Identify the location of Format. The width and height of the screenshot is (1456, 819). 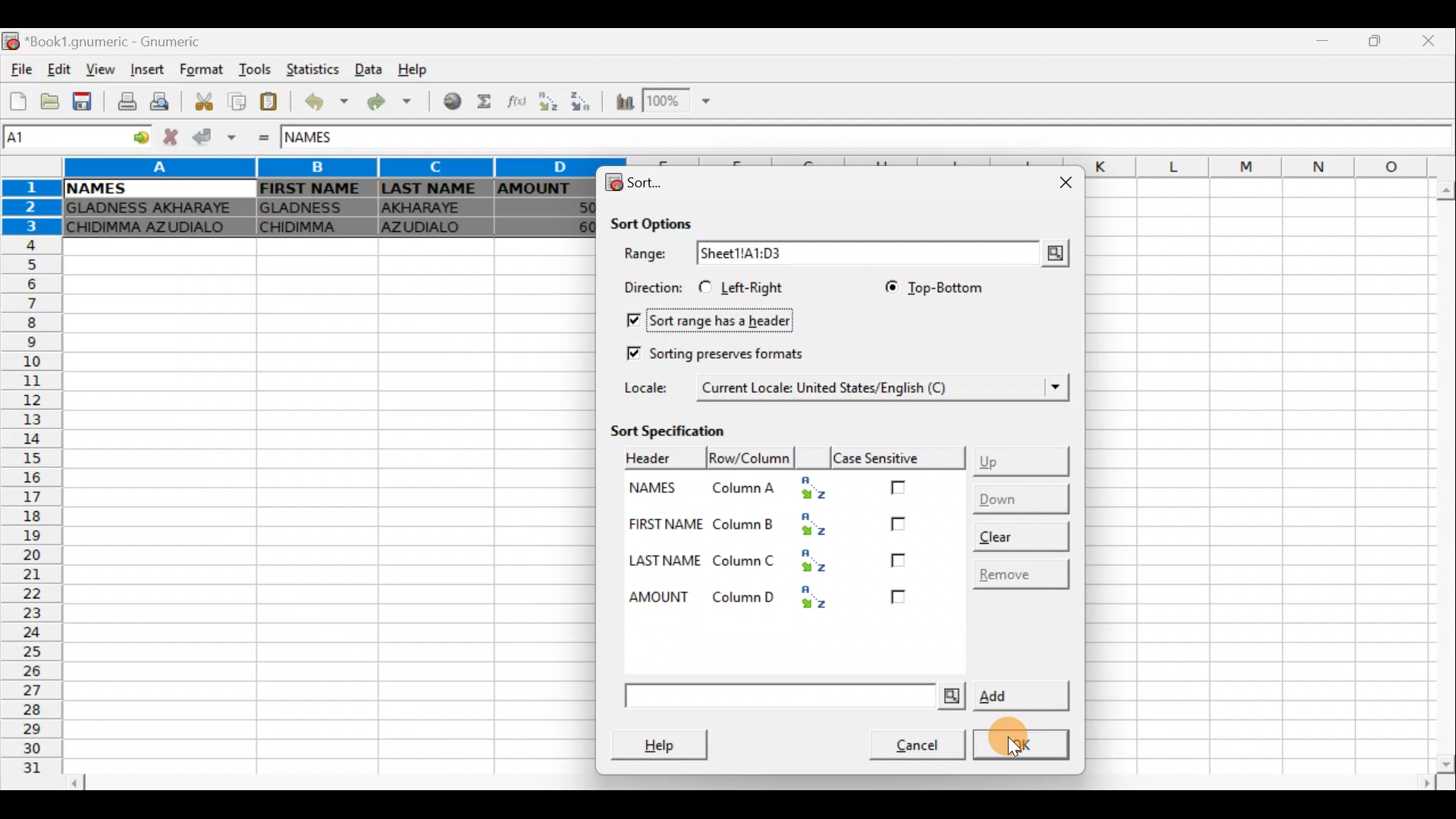
(206, 71).